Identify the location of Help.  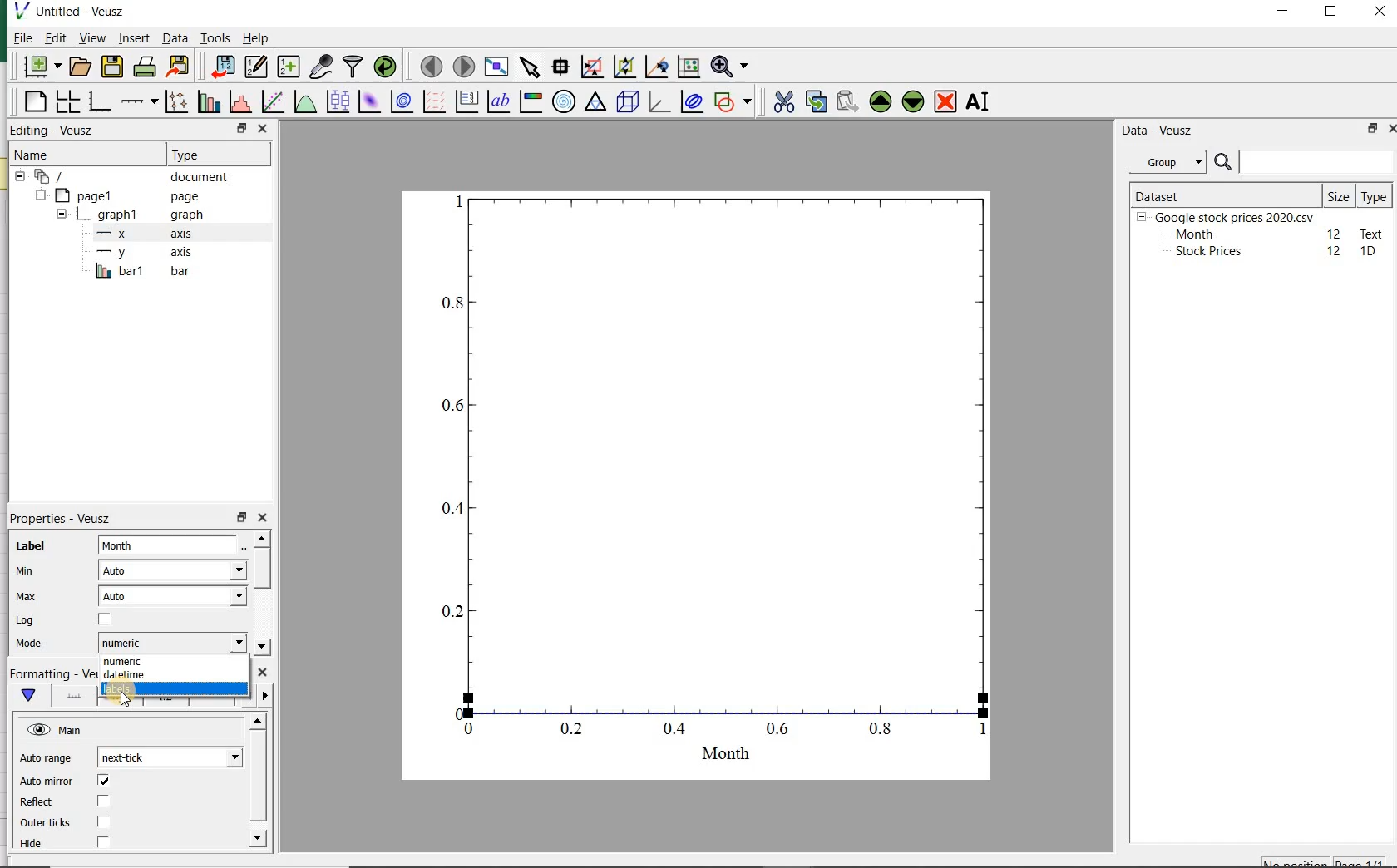
(258, 40).